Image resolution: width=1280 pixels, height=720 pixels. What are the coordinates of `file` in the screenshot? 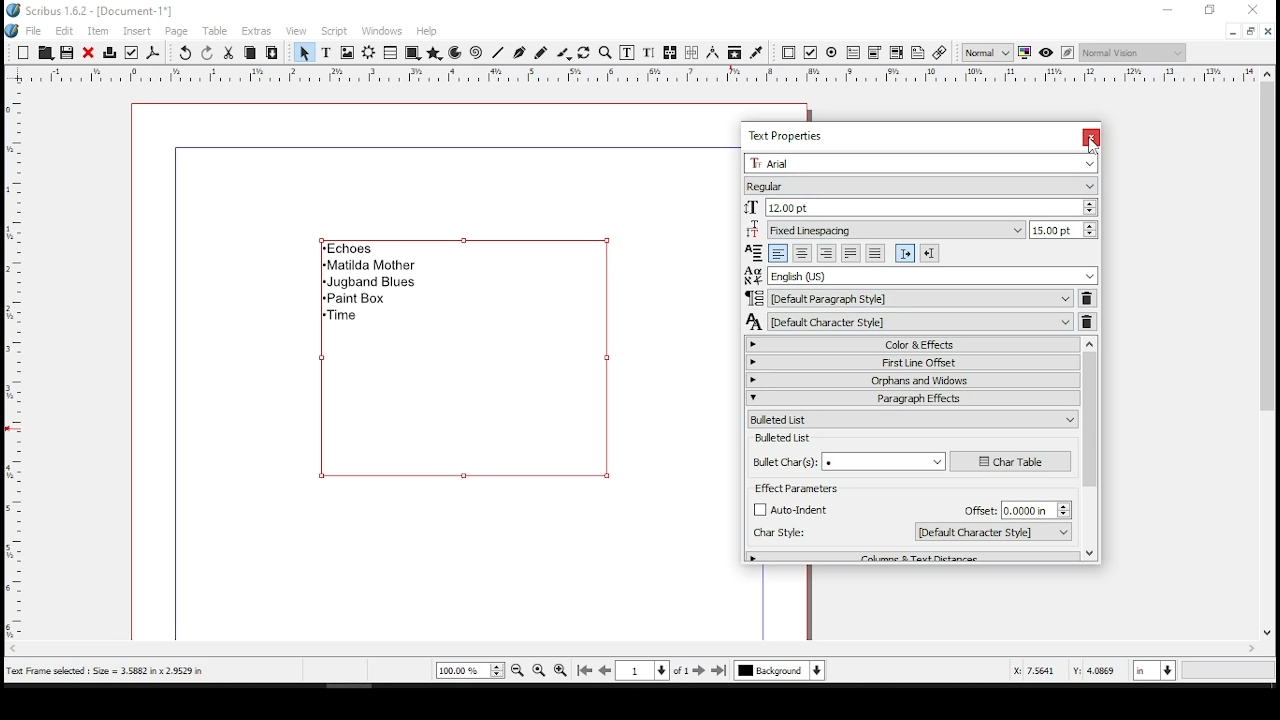 It's located at (36, 30).